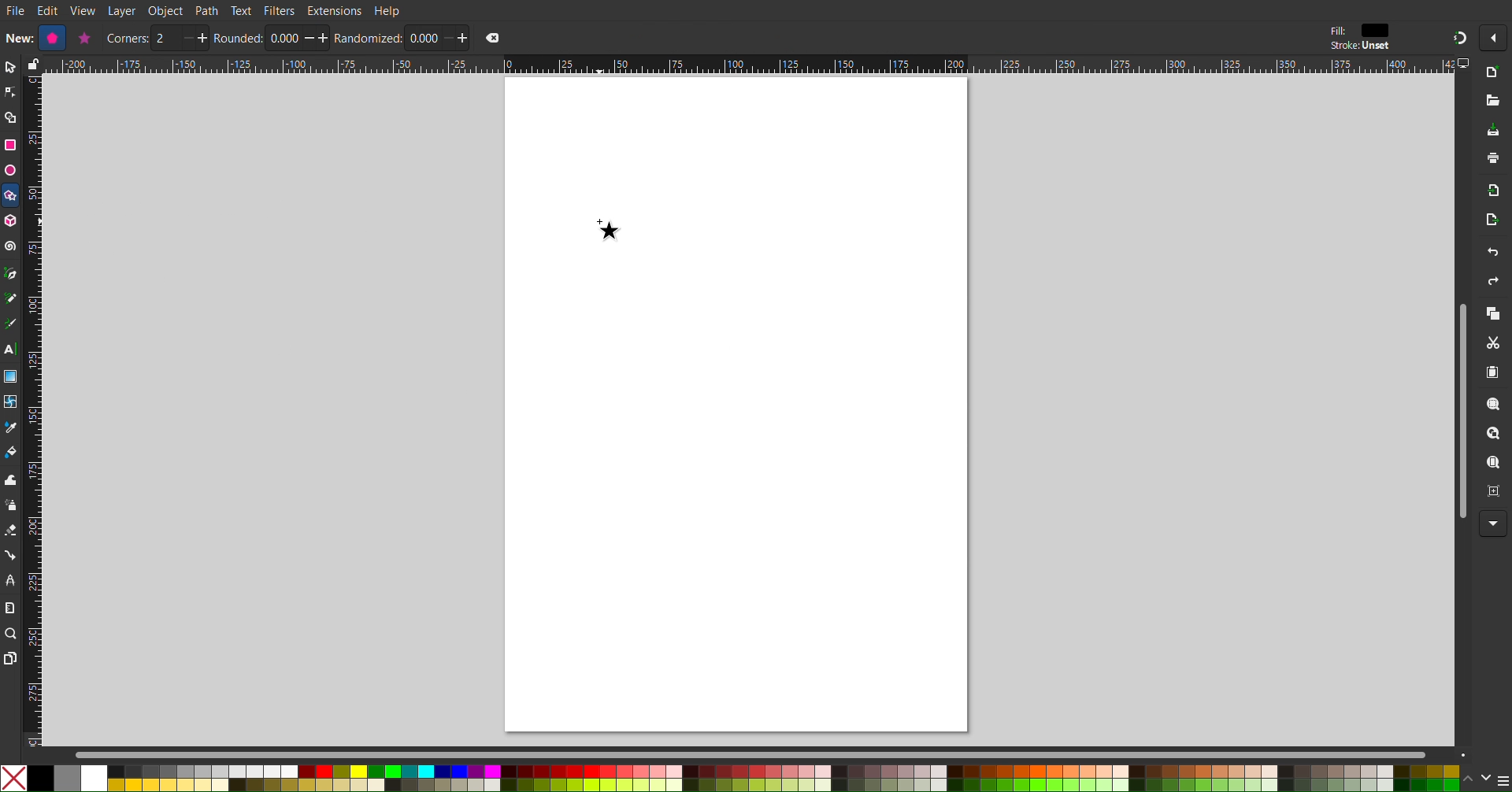  I want to click on New, so click(17, 37).